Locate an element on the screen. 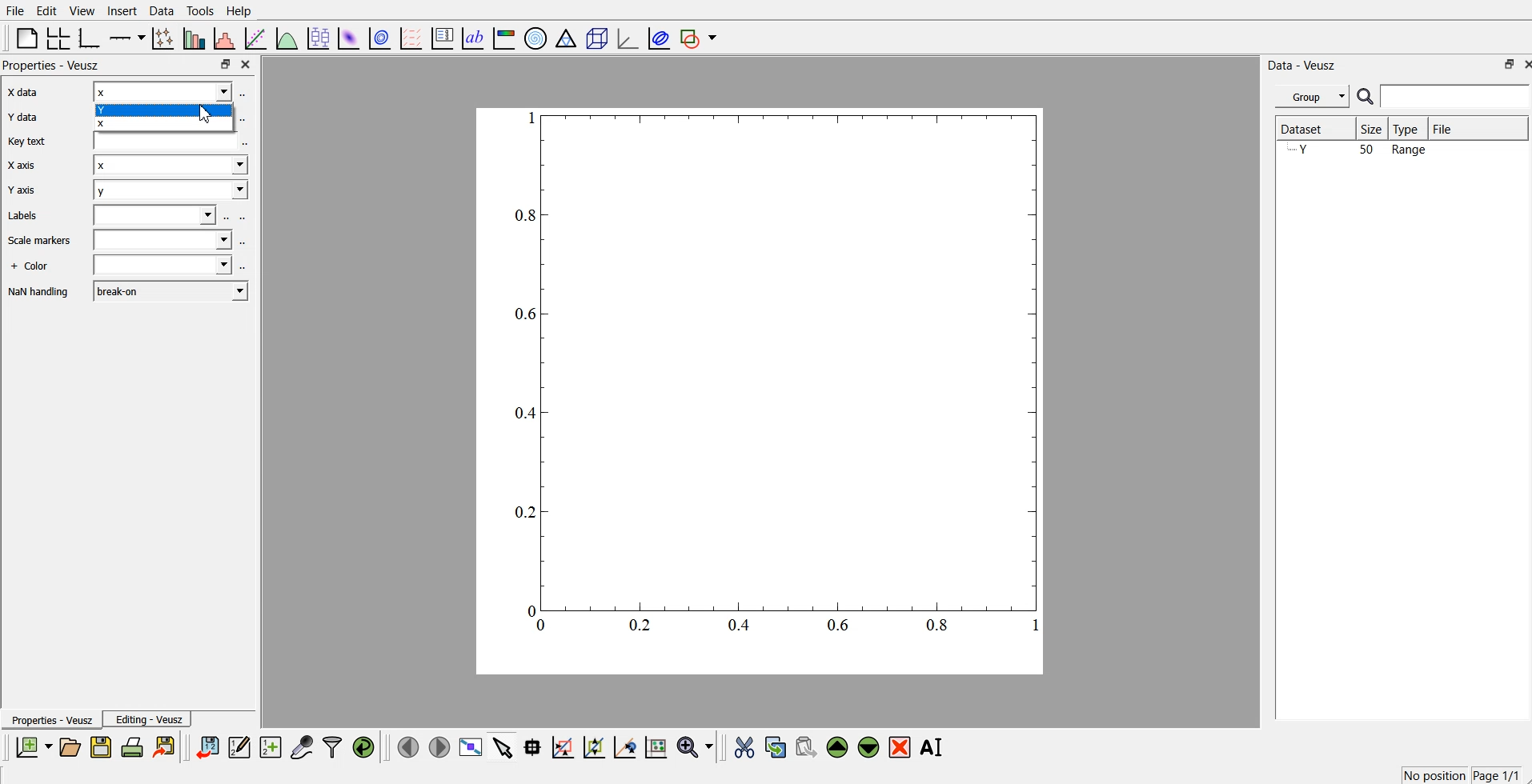 Image resolution: width=1532 pixels, height=784 pixels. cut the selected widgets is located at coordinates (746, 747).